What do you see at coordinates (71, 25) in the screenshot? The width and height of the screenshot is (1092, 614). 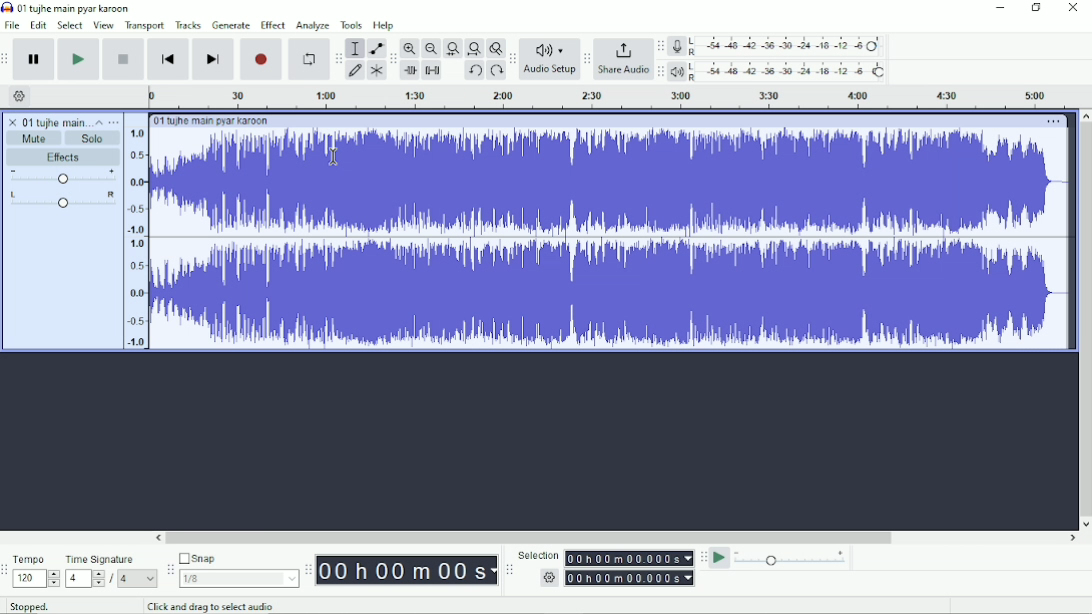 I see `Select` at bounding box center [71, 25].